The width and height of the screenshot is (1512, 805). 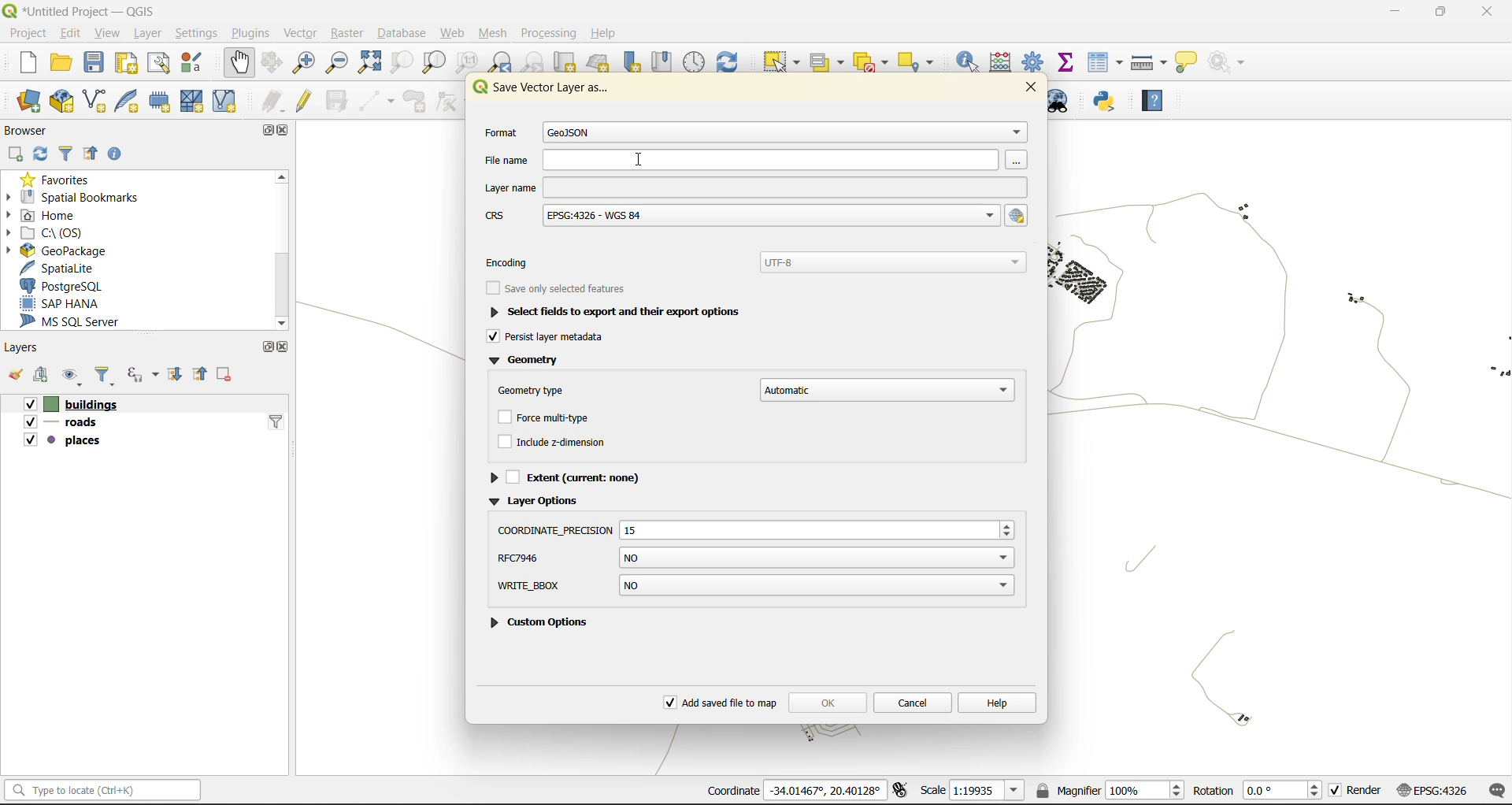 I want to click on control panel, so click(x=695, y=61).